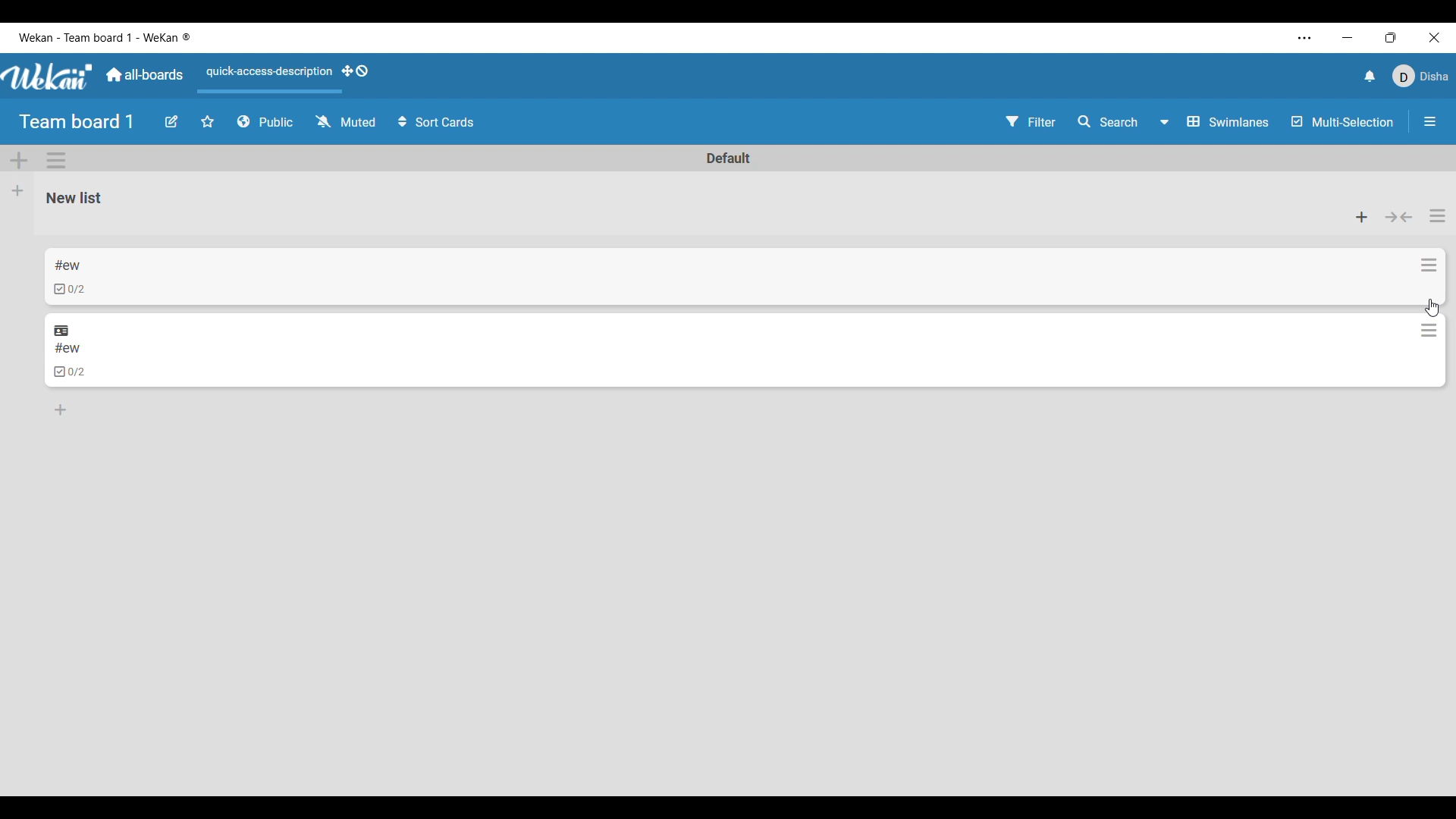 Image resolution: width=1456 pixels, height=819 pixels. Describe the element at coordinates (20, 161) in the screenshot. I see `Add Swimlane` at that location.